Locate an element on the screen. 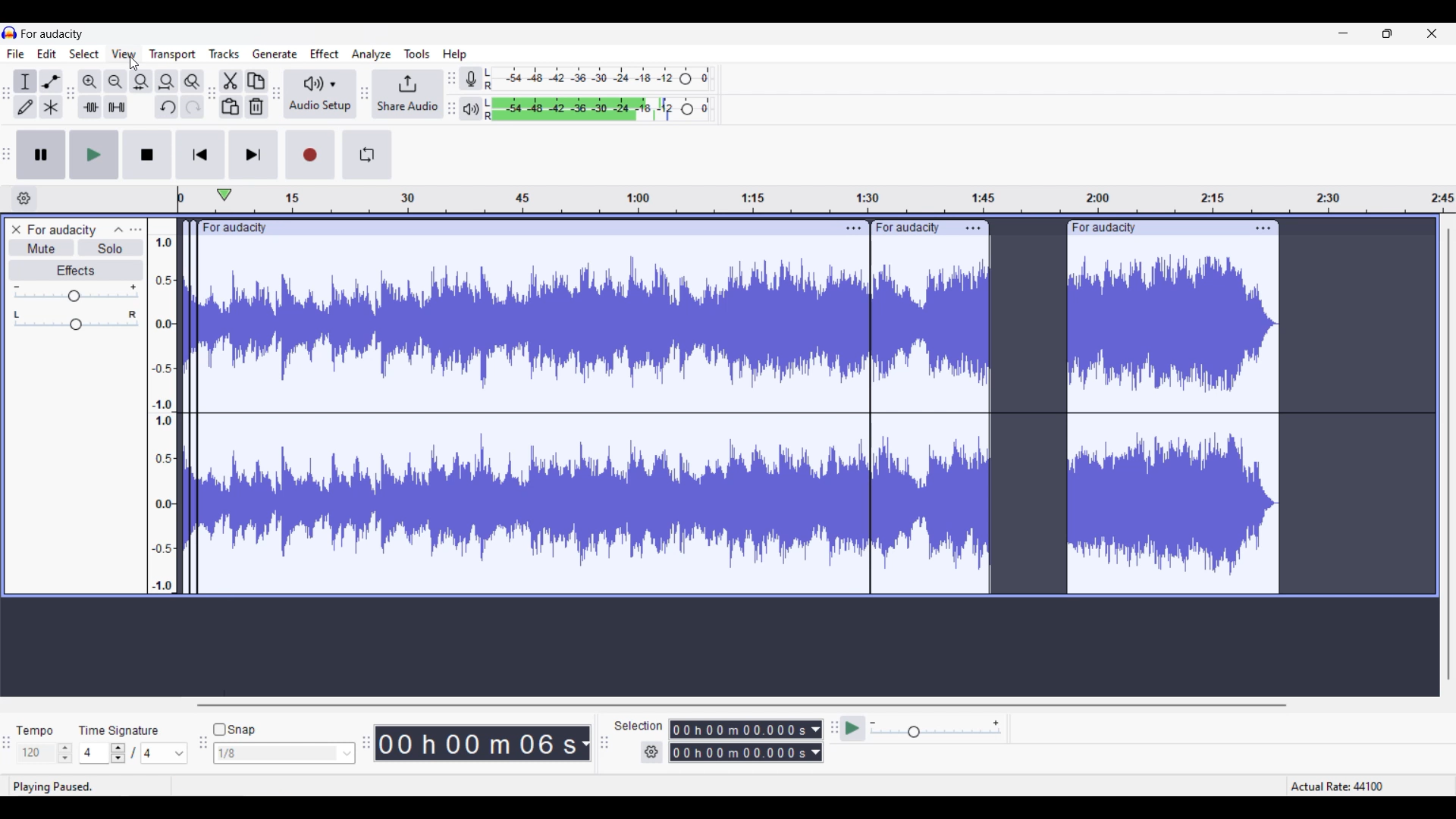 This screenshot has width=1456, height=819. Draw tool is located at coordinates (25, 107).